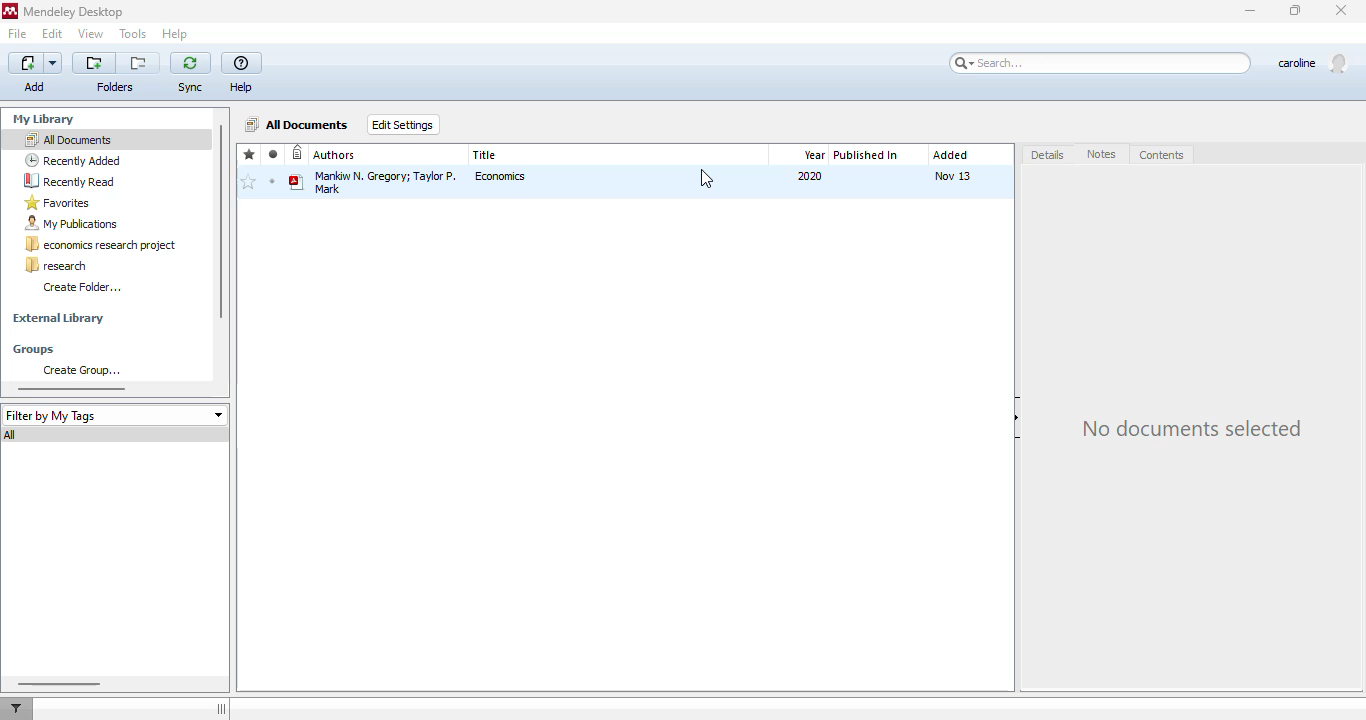 The height and width of the screenshot is (720, 1366). I want to click on details, so click(1049, 156).